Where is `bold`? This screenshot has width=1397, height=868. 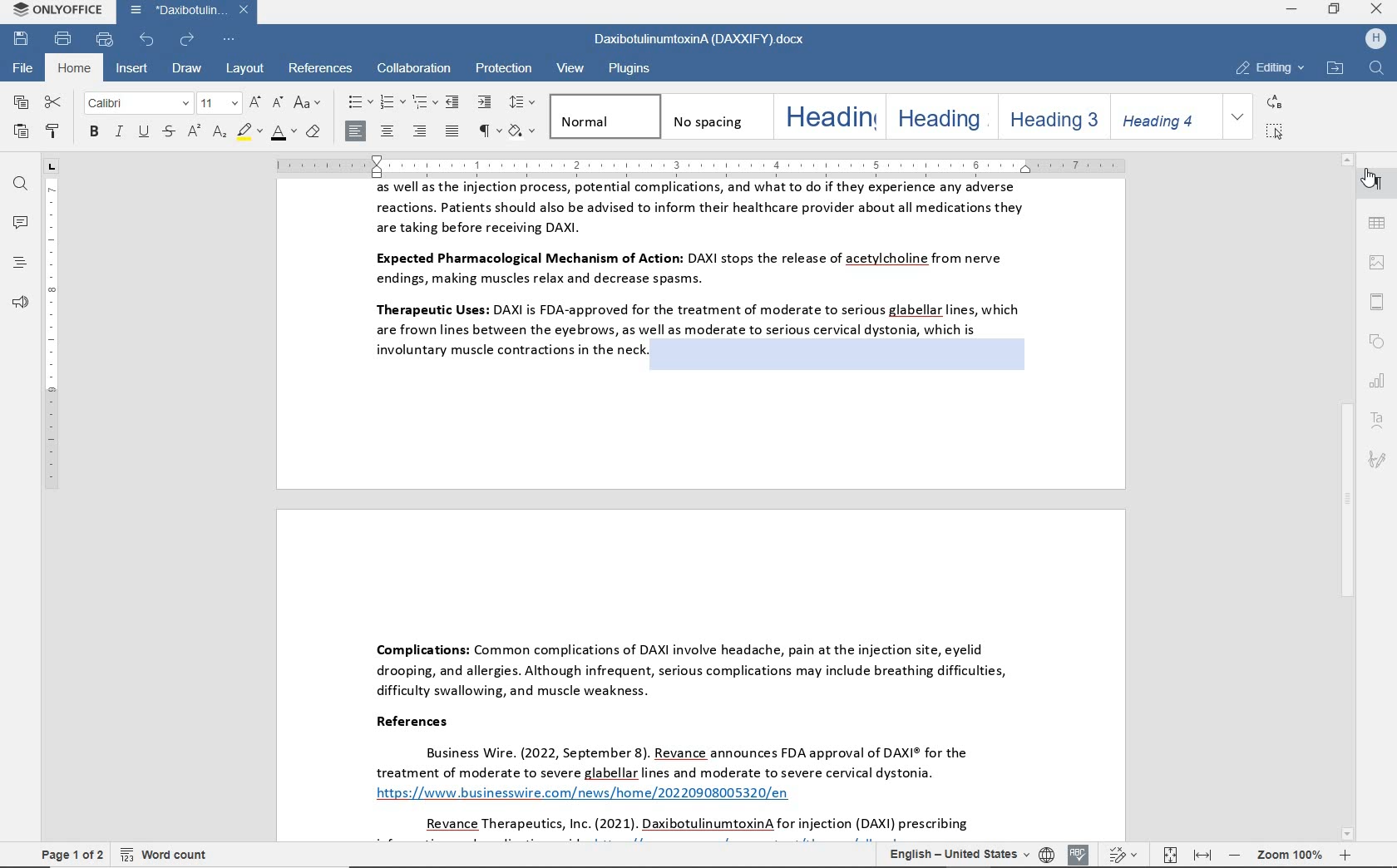 bold is located at coordinates (93, 133).